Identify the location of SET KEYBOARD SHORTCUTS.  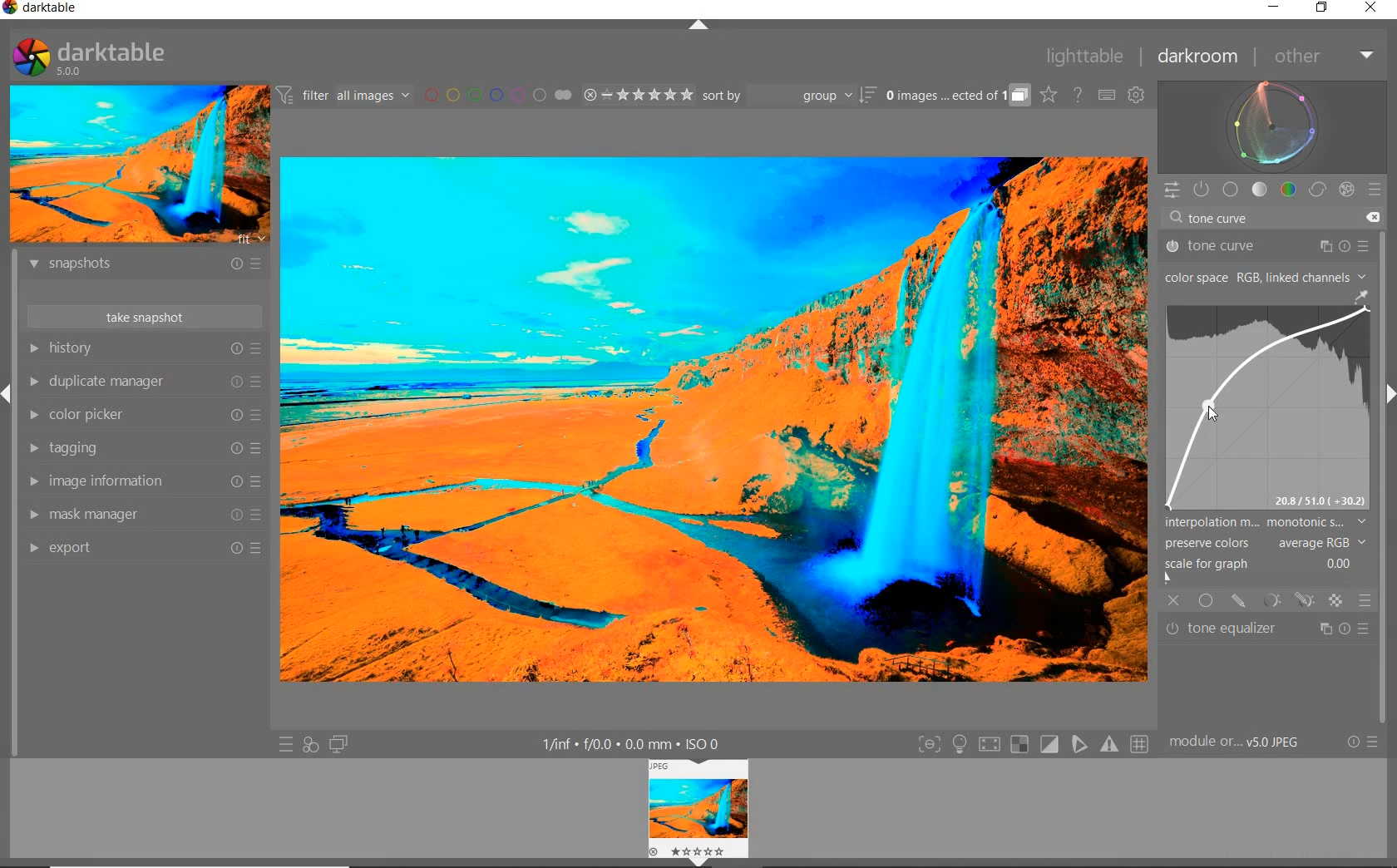
(1108, 96).